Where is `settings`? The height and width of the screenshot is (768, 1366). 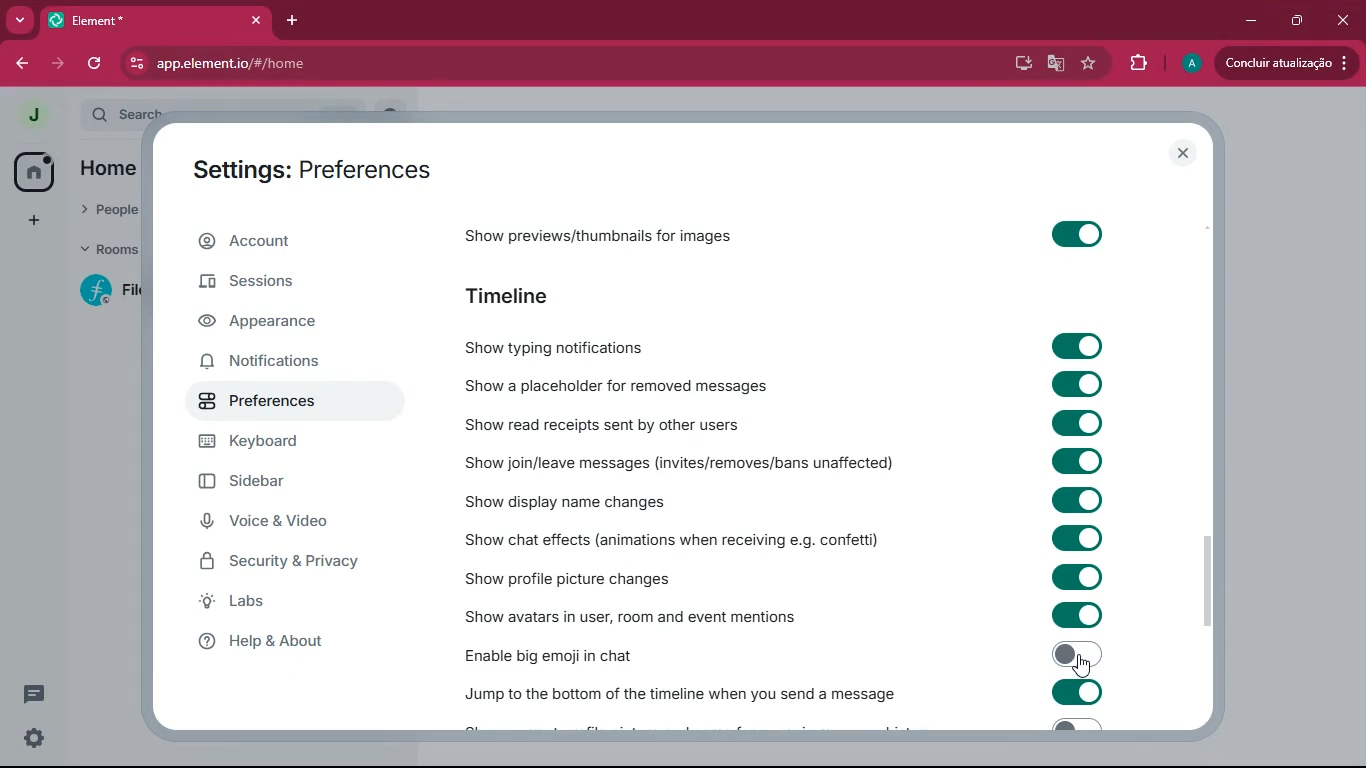
settings is located at coordinates (36, 738).